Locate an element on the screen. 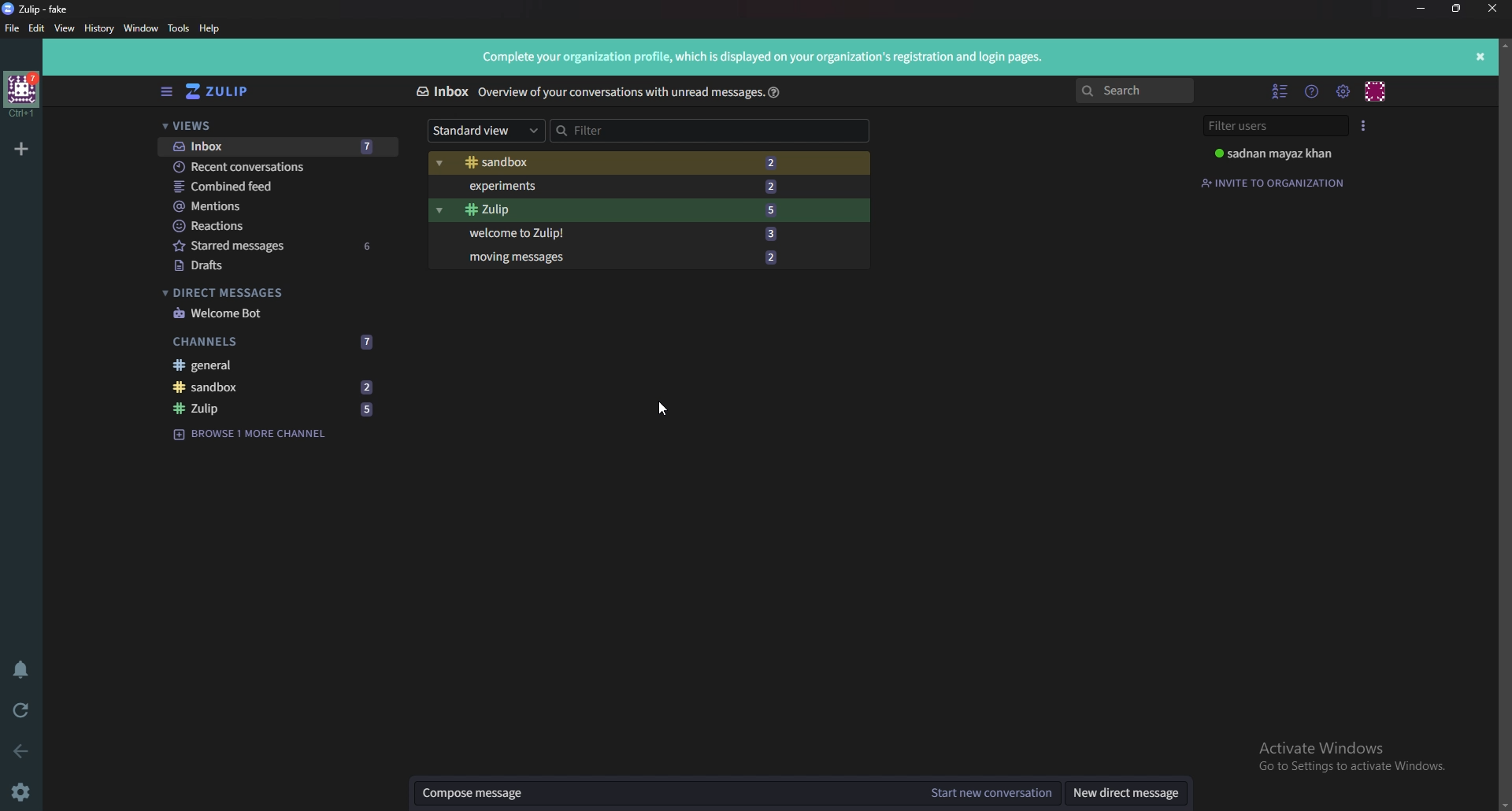 The height and width of the screenshot is (811, 1512). User list style is located at coordinates (1364, 124).